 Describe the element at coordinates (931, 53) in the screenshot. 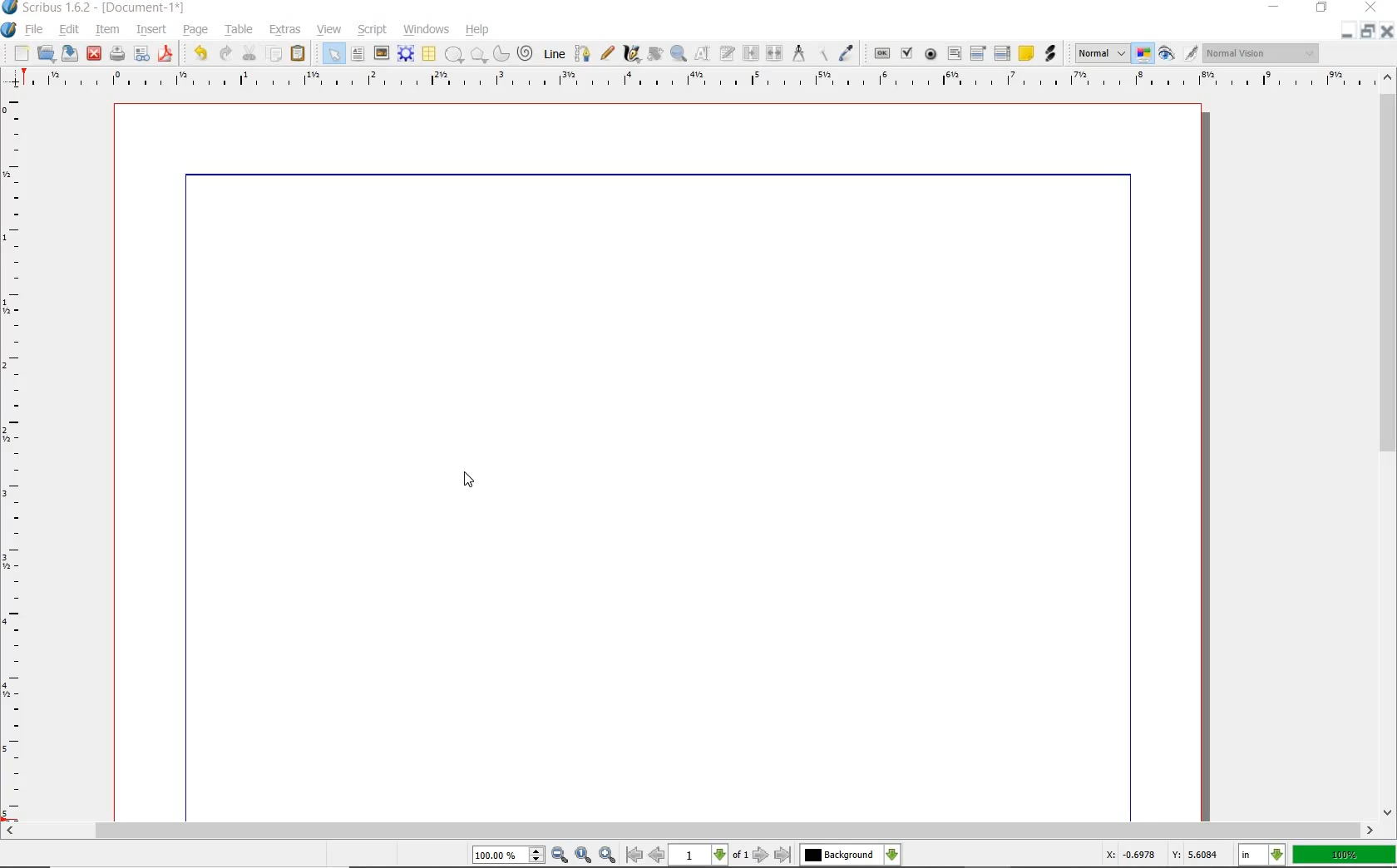

I see `PDF RADIO BUTTON` at that location.